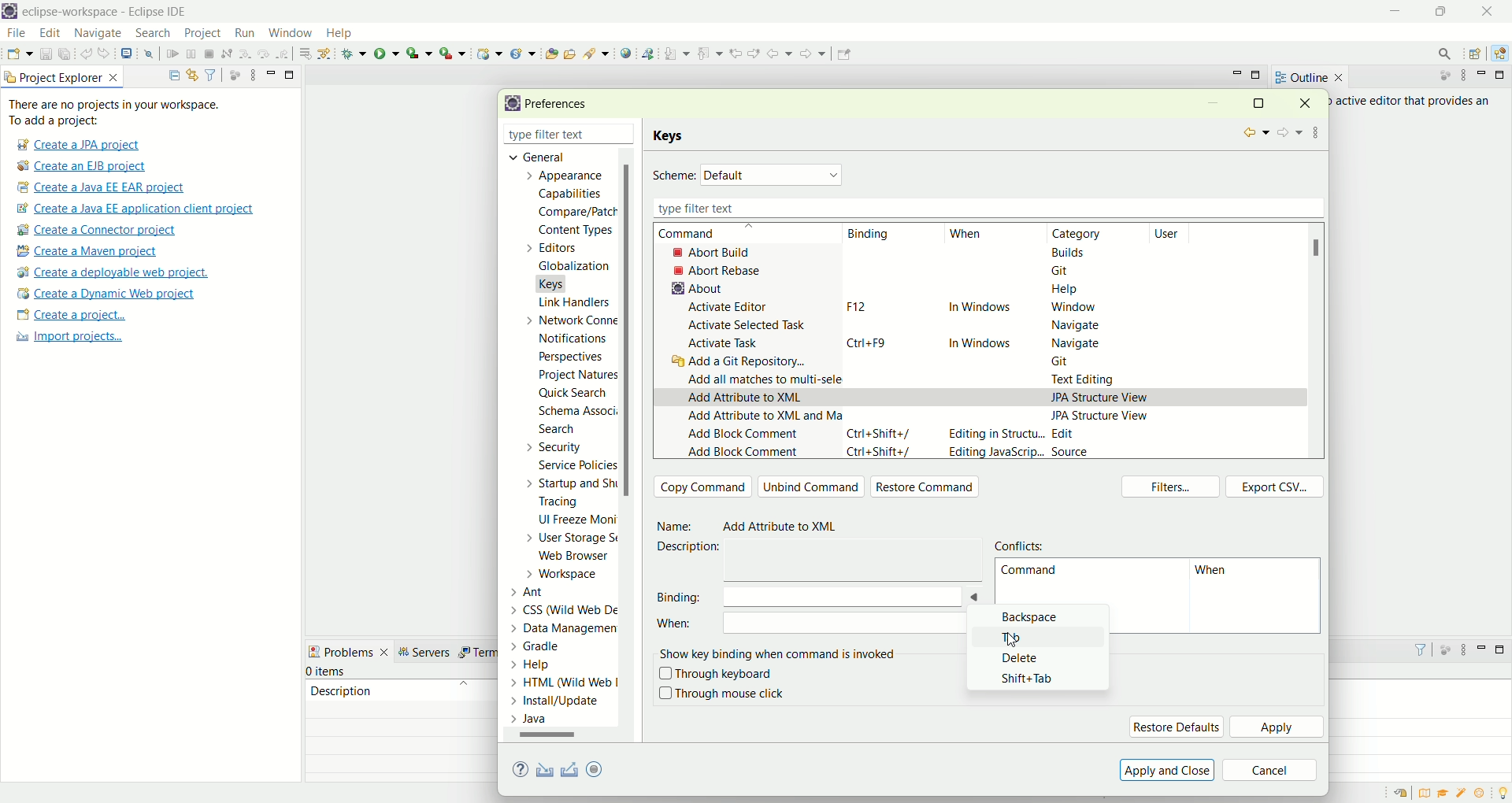  I want to click on project explorer, so click(63, 76).